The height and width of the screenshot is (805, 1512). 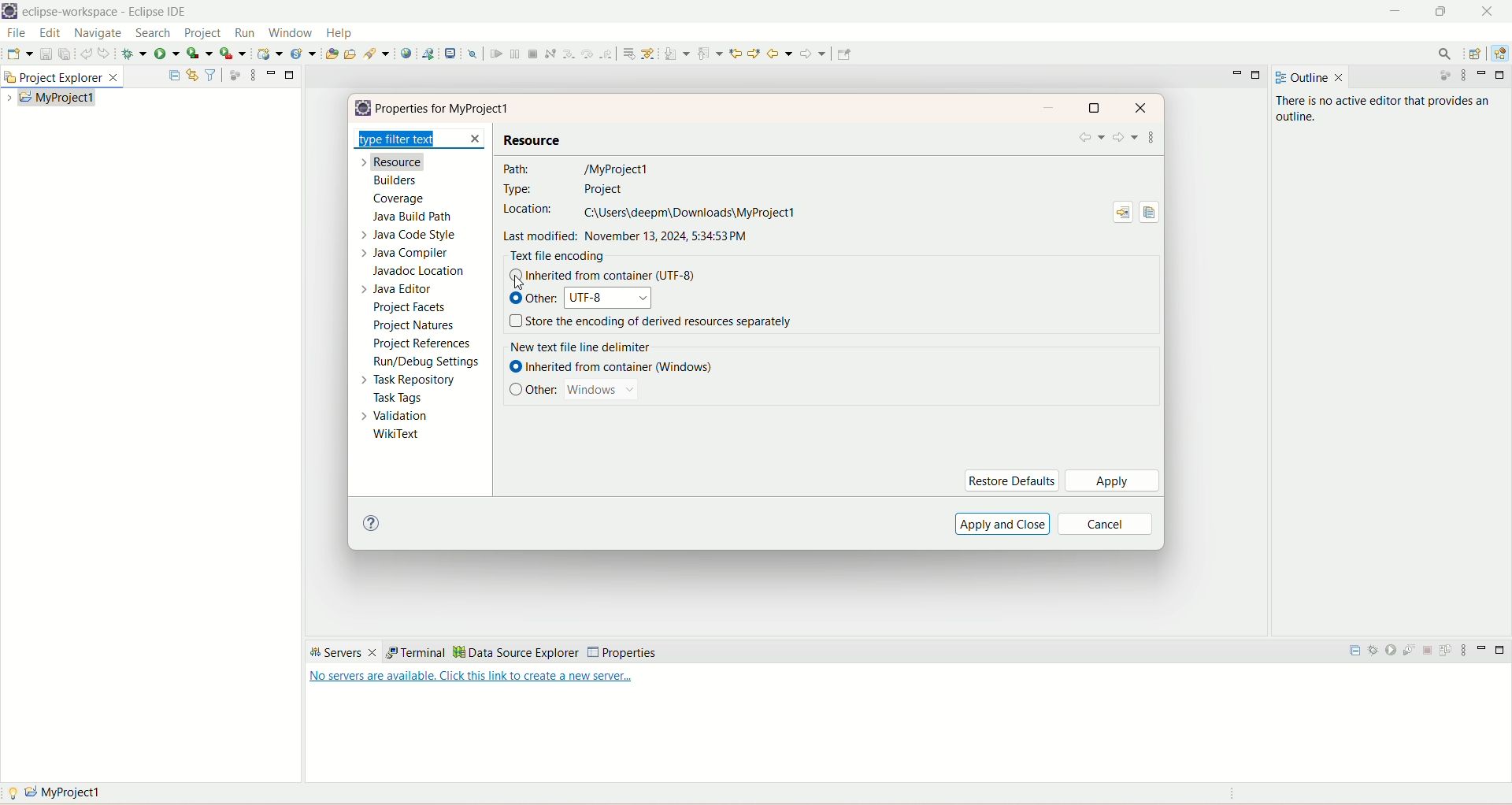 What do you see at coordinates (1443, 53) in the screenshot?
I see `search` at bounding box center [1443, 53].